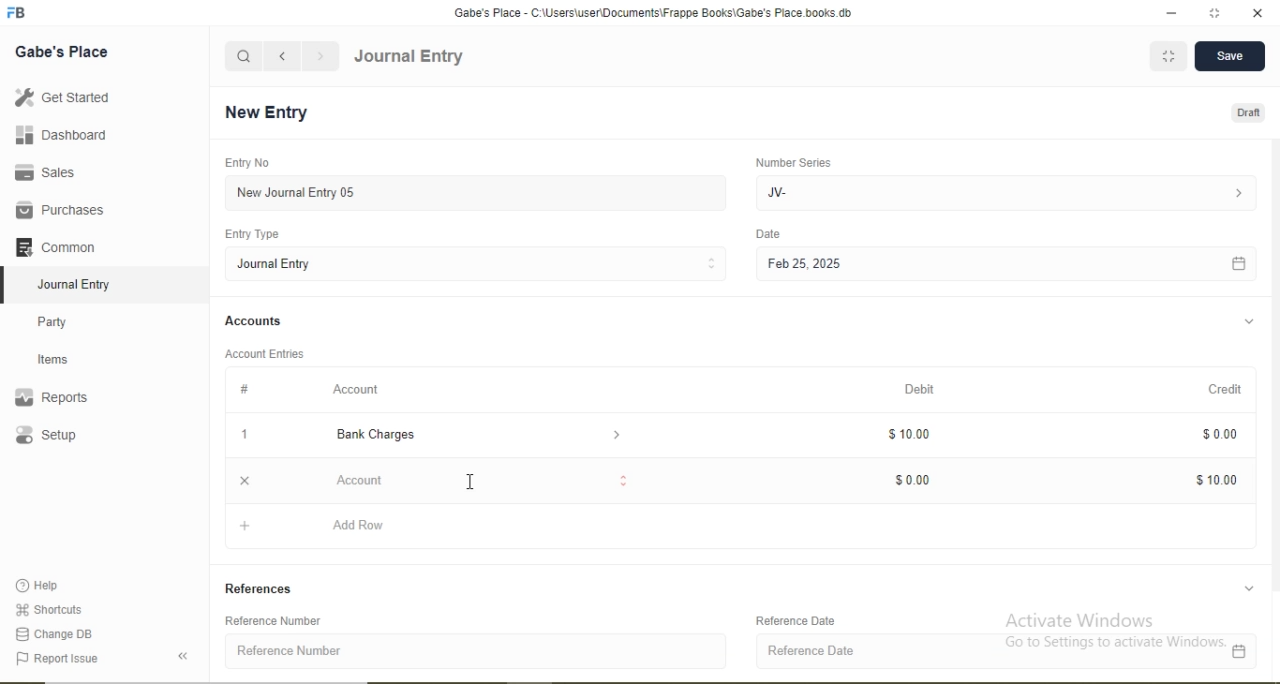 The width and height of the screenshot is (1280, 684). Describe the element at coordinates (470, 483) in the screenshot. I see `cursor` at that location.